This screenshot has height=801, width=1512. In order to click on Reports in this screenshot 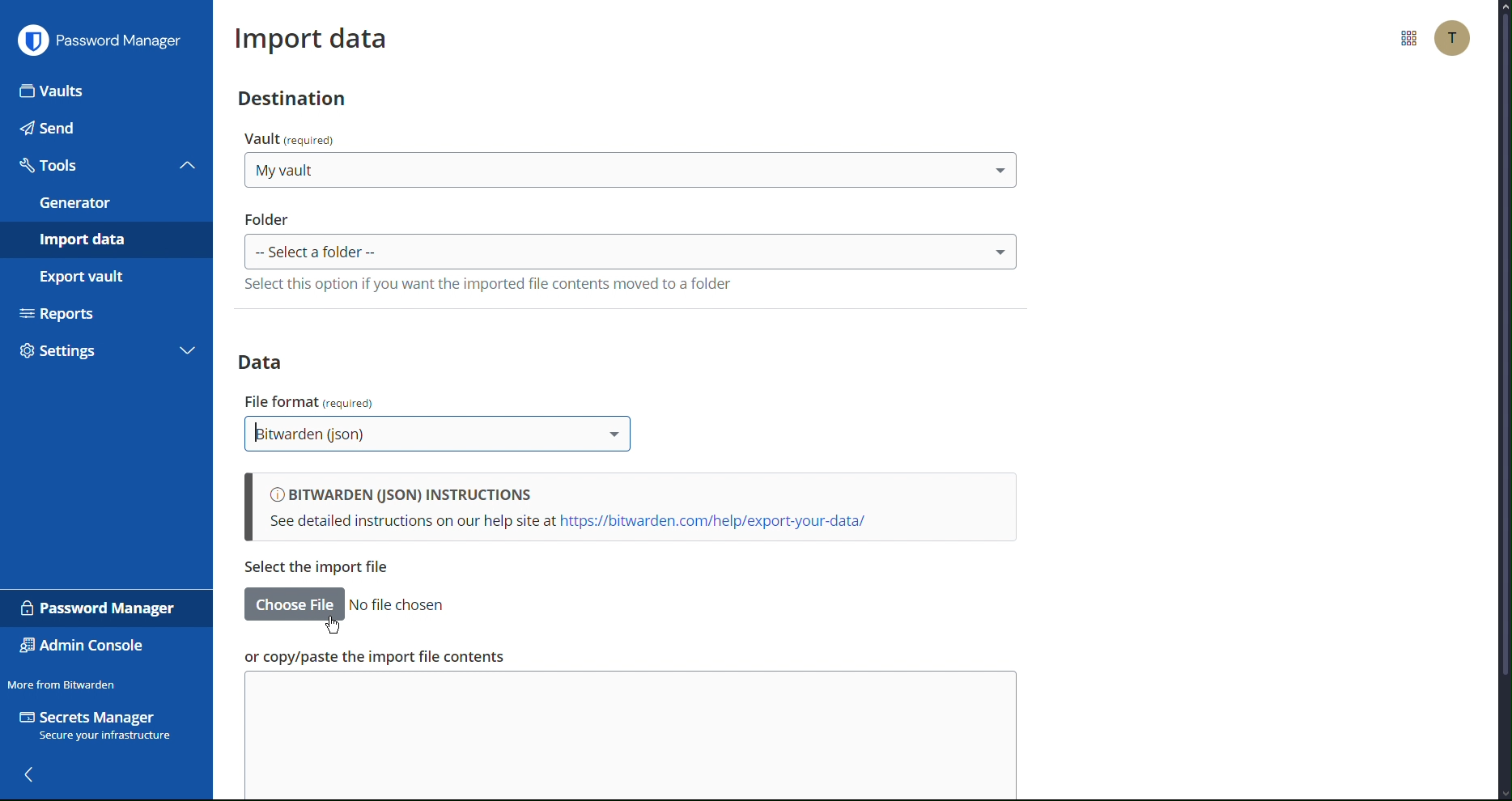, I will do `click(104, 311)`.